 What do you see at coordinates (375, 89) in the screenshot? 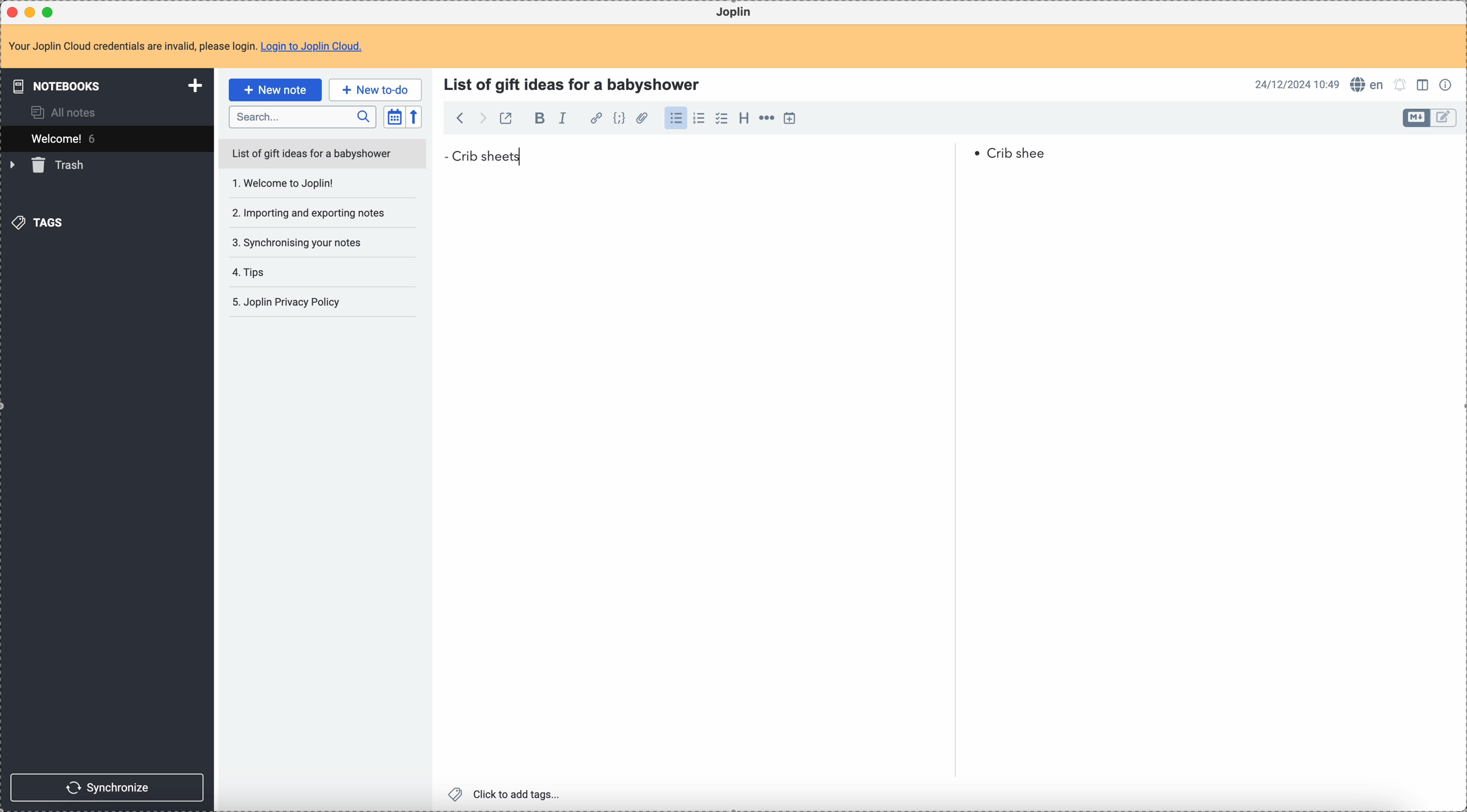
I see `new to-do` at bounding box center [375, 89].